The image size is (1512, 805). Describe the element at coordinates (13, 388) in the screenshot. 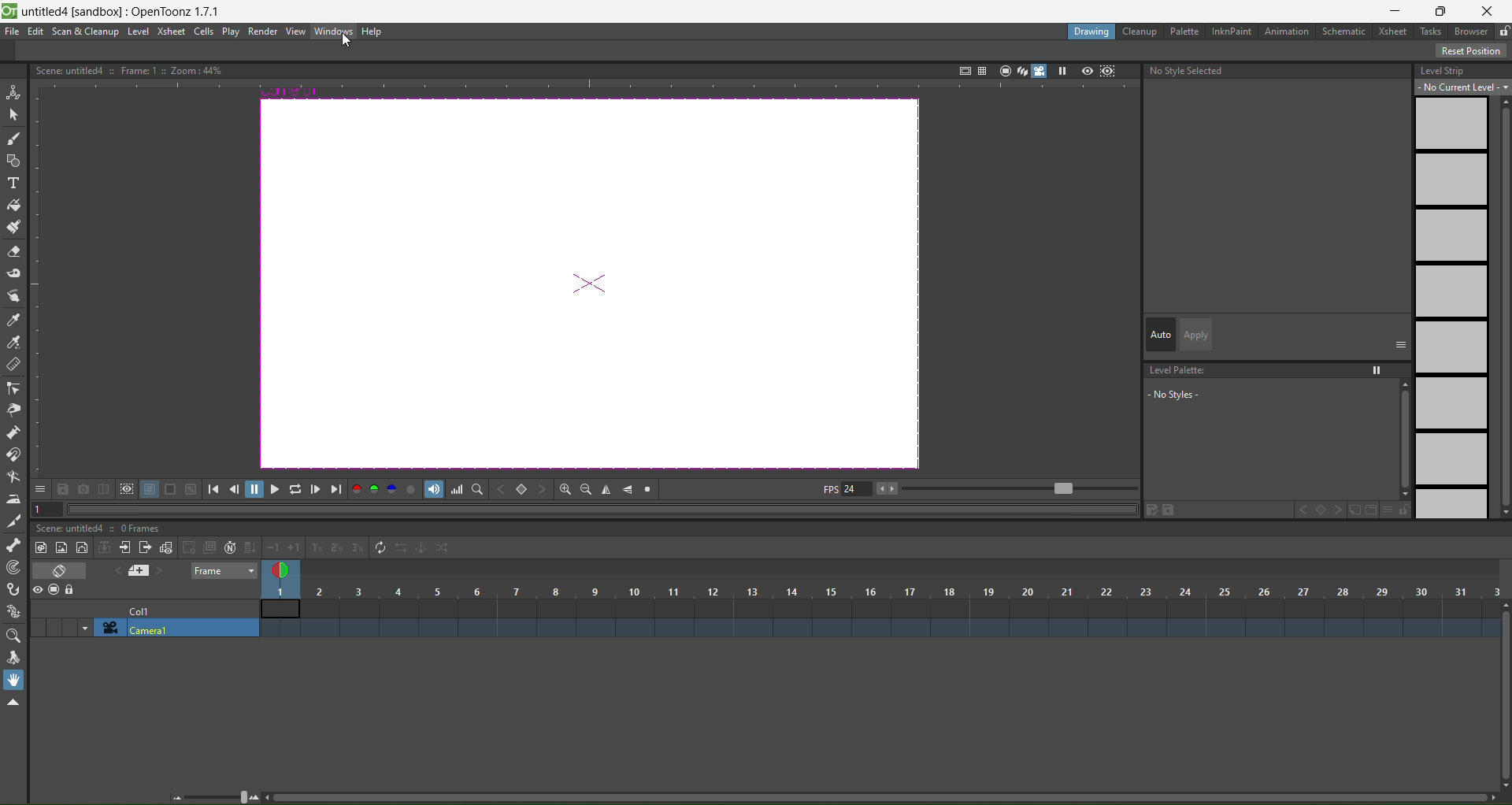

I see `control point editor` at that location.